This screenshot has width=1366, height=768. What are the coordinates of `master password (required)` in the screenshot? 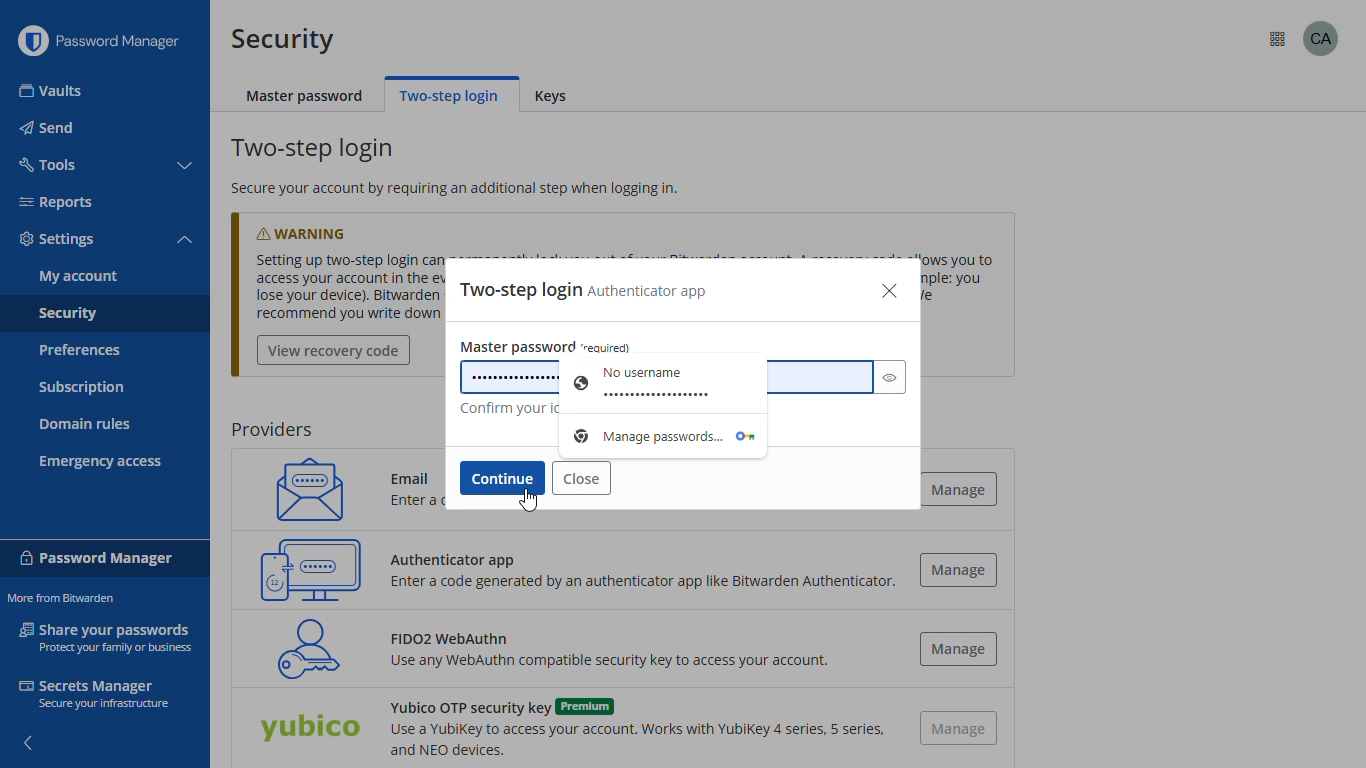 It's located at (666, 347).